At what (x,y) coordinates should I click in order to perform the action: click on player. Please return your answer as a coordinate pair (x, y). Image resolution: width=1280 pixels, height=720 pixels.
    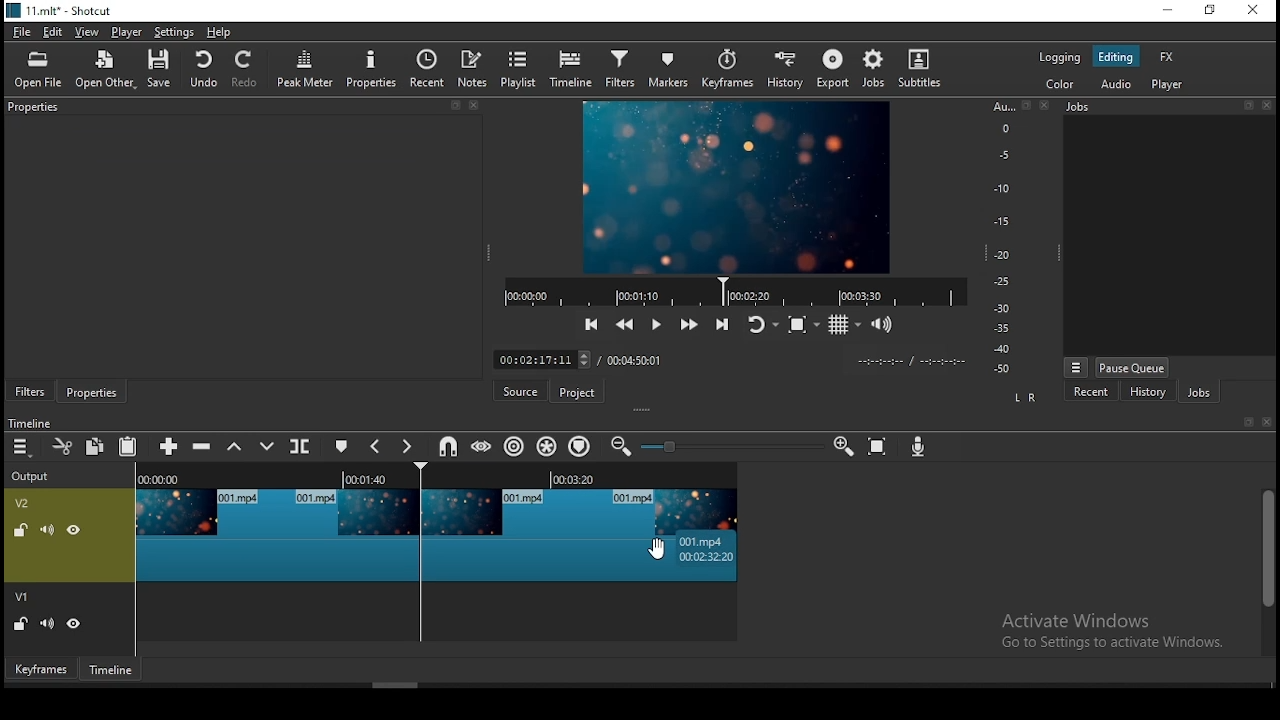
    Looking at the image, I should click on (1172, 86).